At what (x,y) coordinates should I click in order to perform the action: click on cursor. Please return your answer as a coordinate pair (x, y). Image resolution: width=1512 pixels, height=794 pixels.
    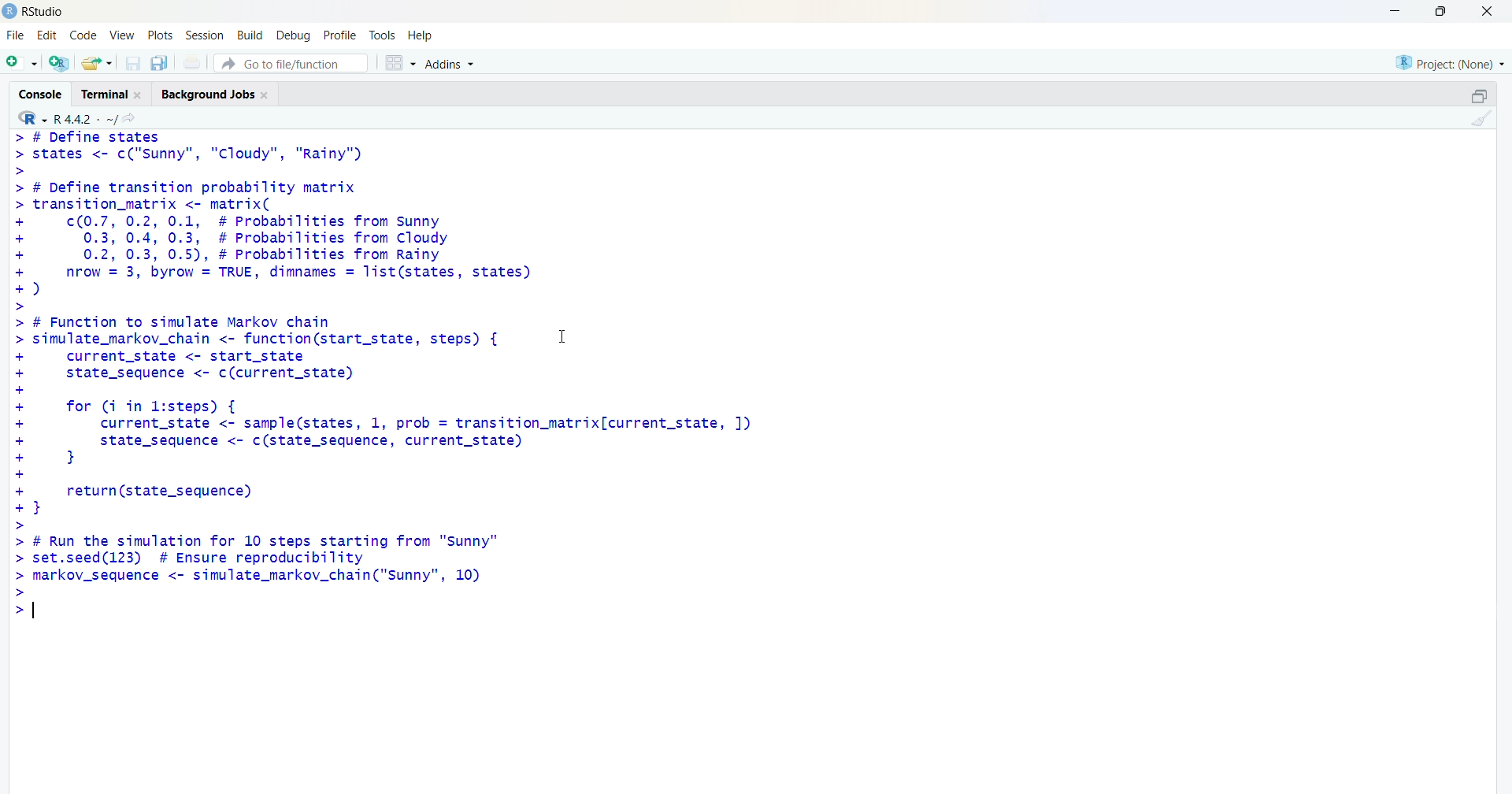
    Looking at the image, I should click on (569, 341).